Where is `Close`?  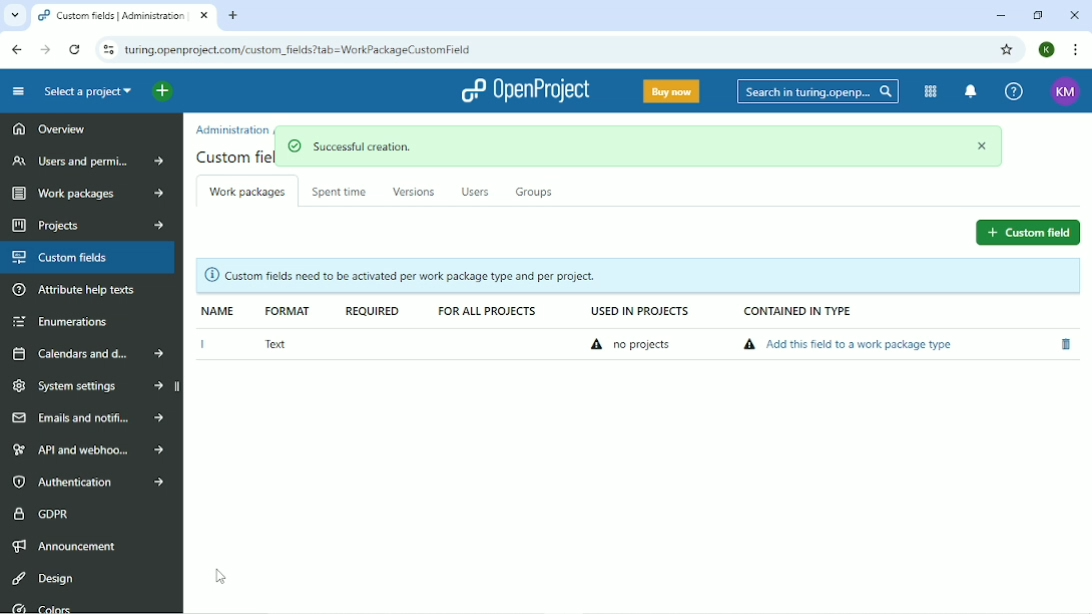 Close is located at coordinates (1075, 15).